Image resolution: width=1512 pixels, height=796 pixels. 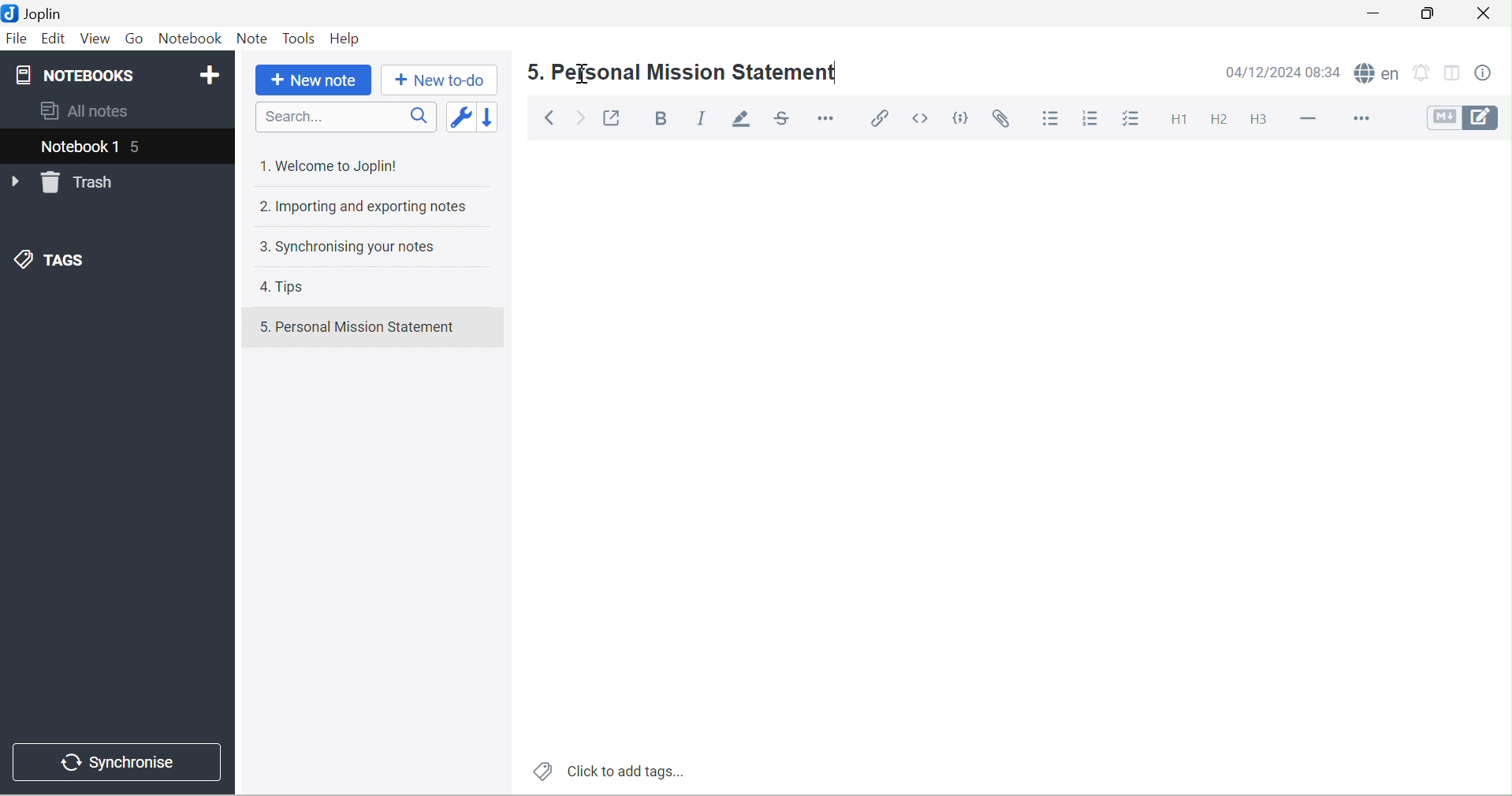 I want to click on New to-do, so click(x=445, y=80).